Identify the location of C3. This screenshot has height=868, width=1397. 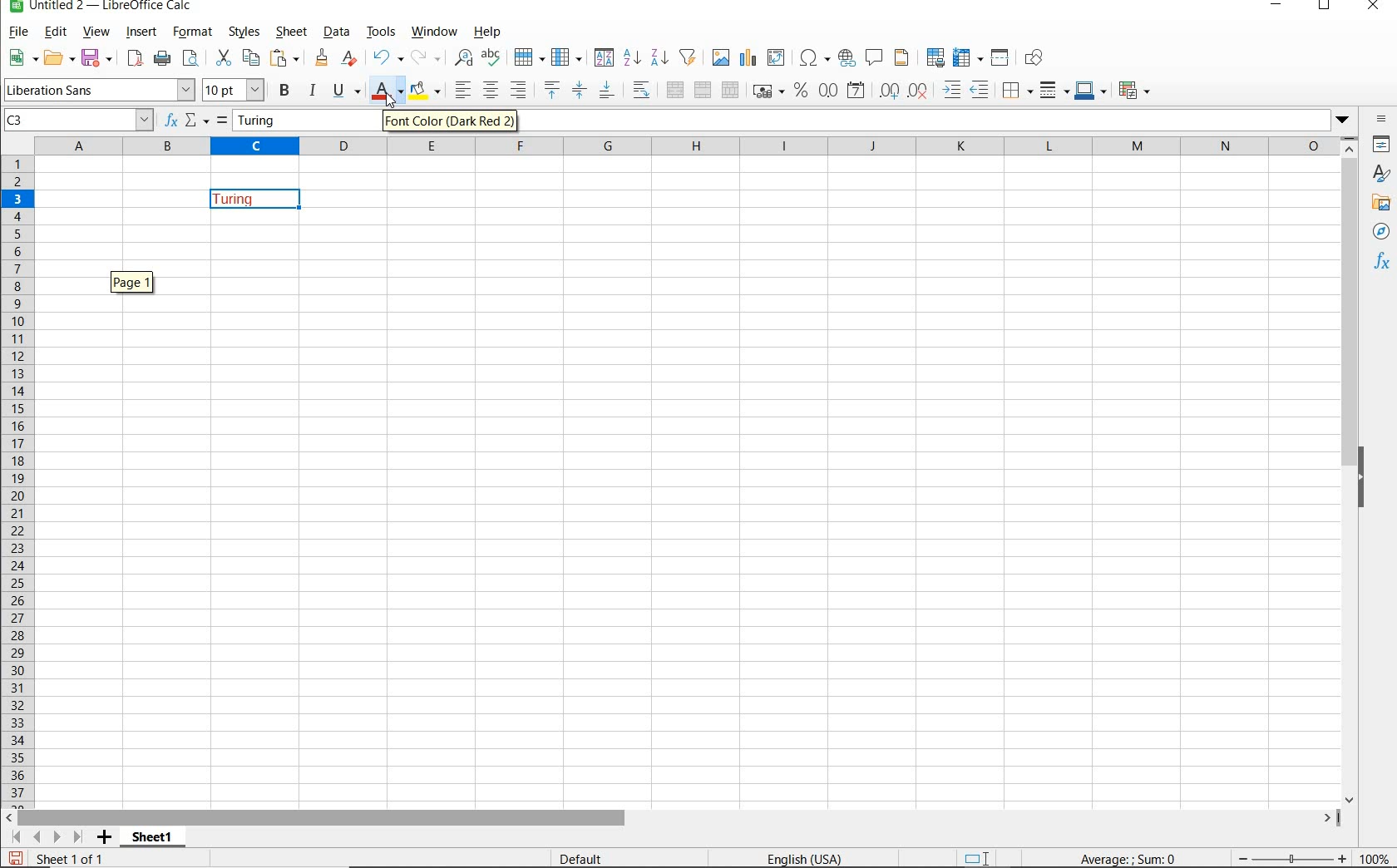
(79, 121).